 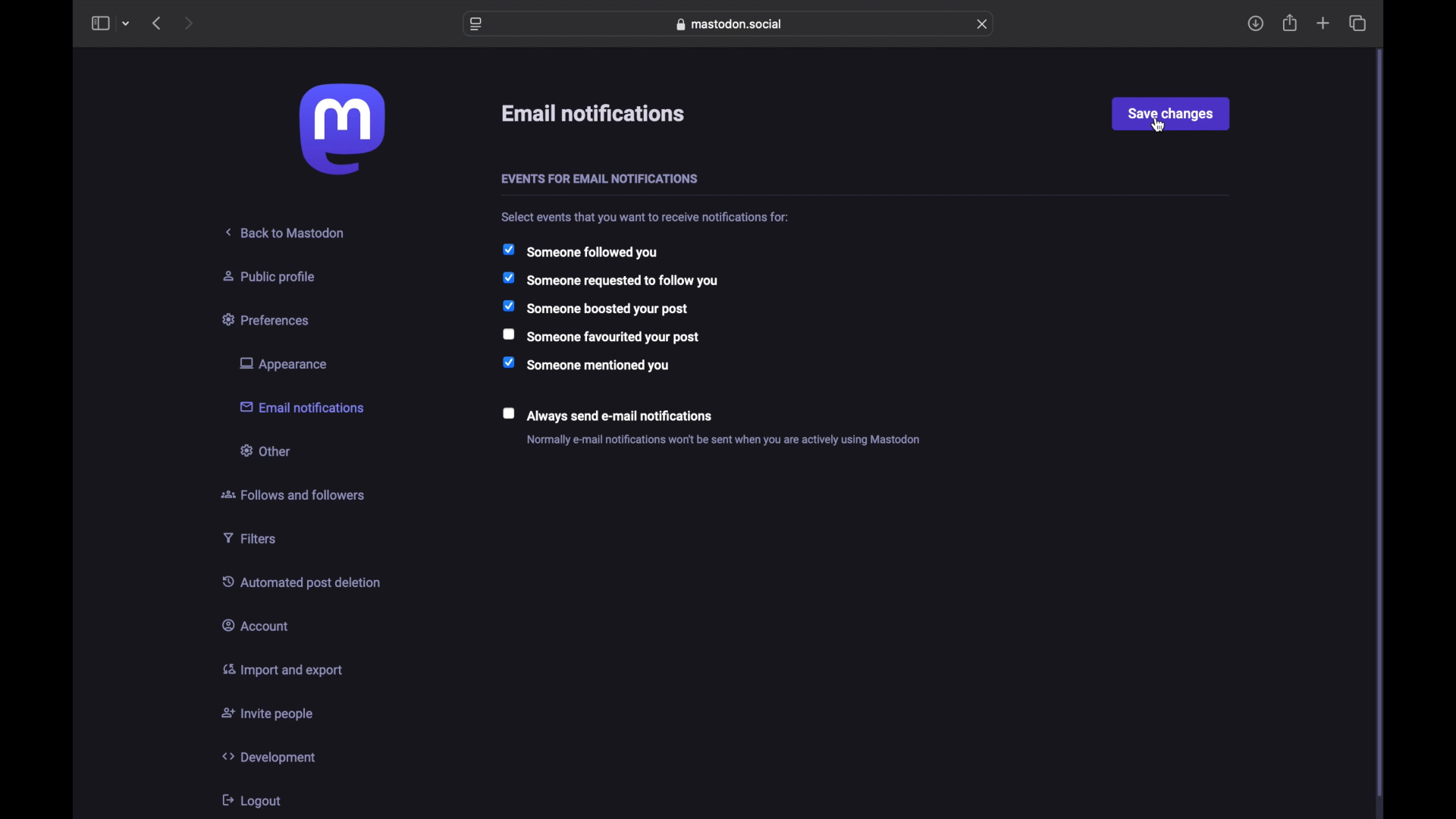 What do you see at coordinates (99, 23) in the screenshot?
I see `sidebar` at bounding box center [99, 23].